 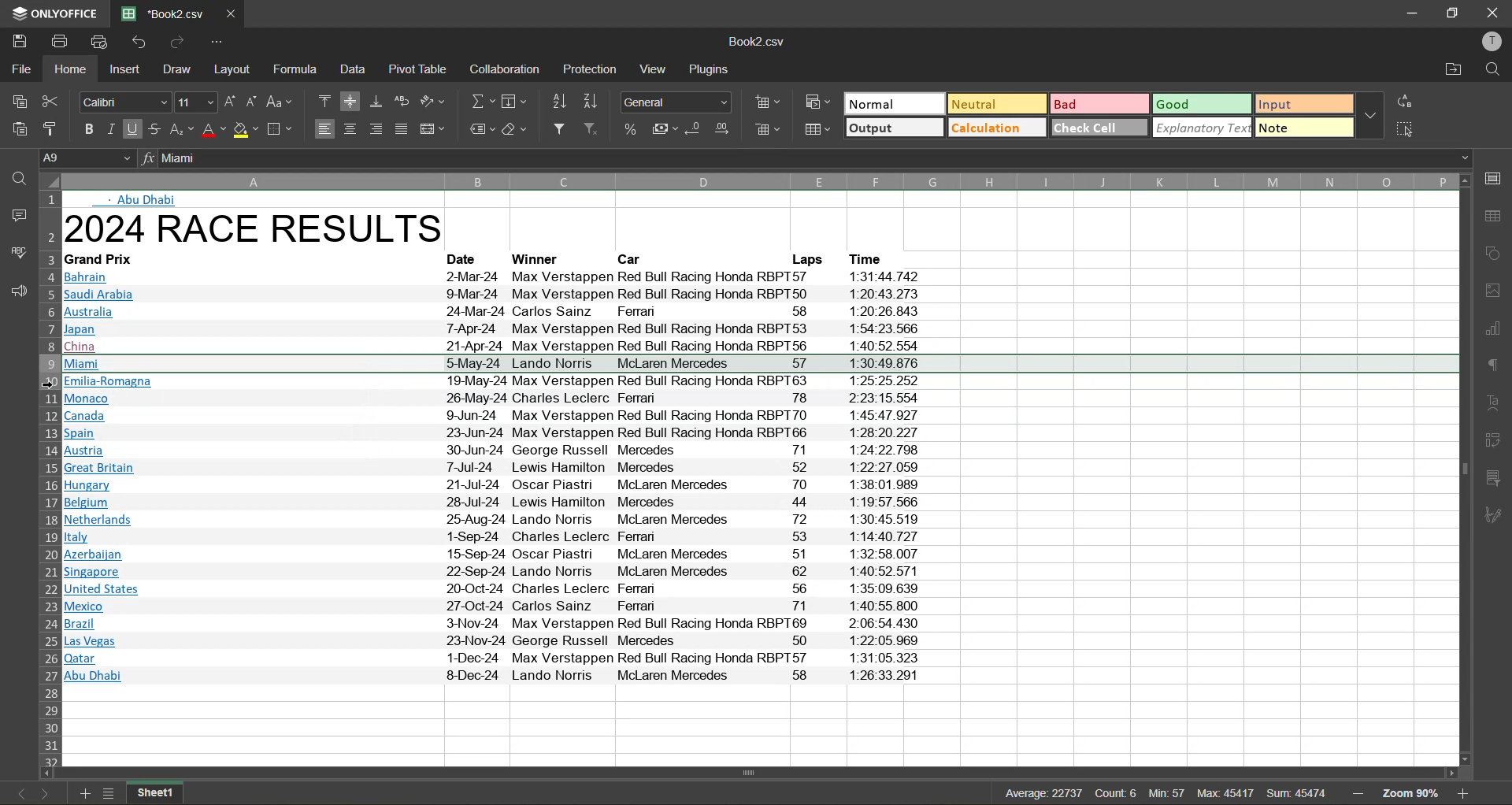 What do you see at coordinates (54, 101) in the screenshot?
I see `cut` at bounding box center [54, 101].